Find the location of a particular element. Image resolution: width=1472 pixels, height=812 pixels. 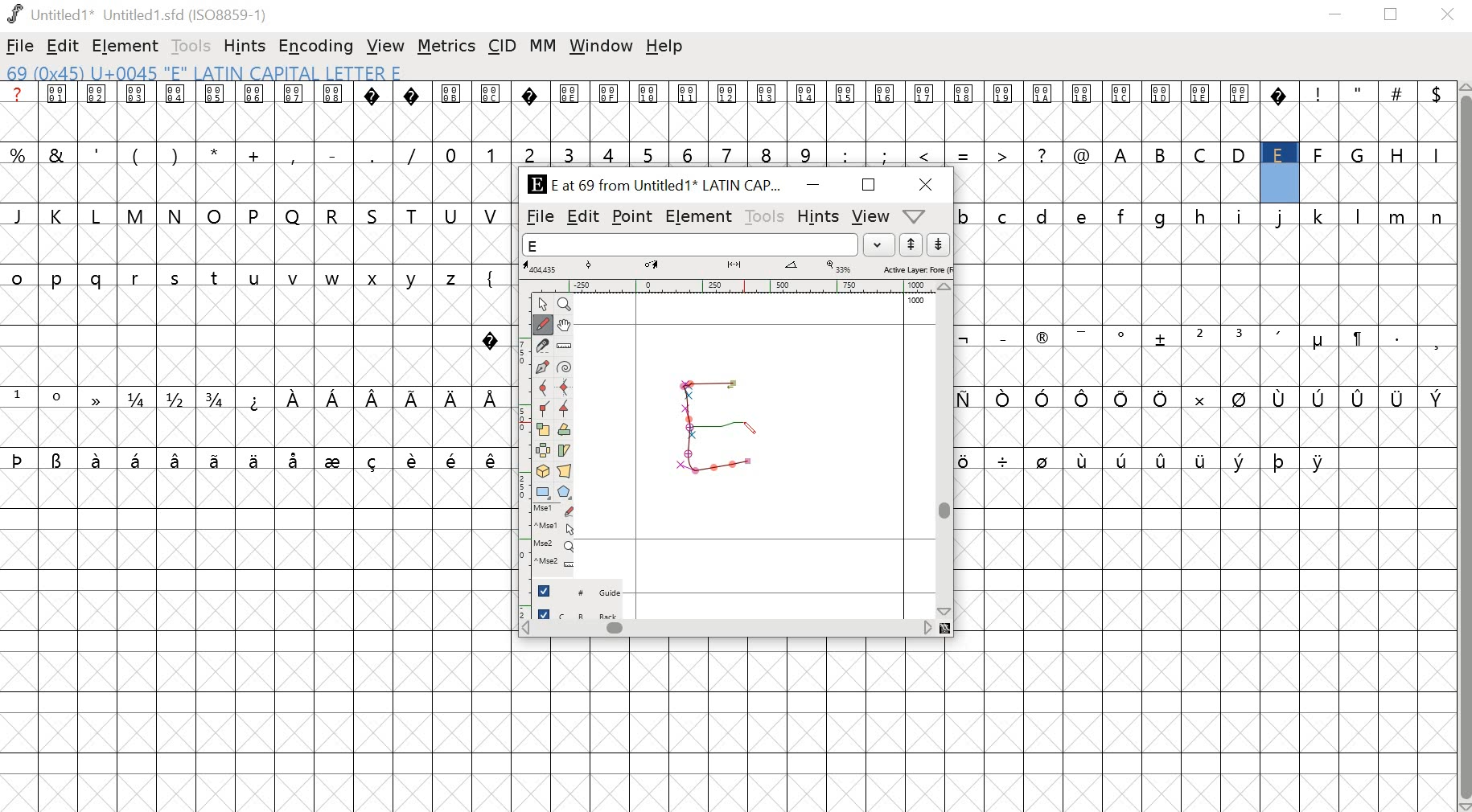

hints is located at coordinates (818, 216).